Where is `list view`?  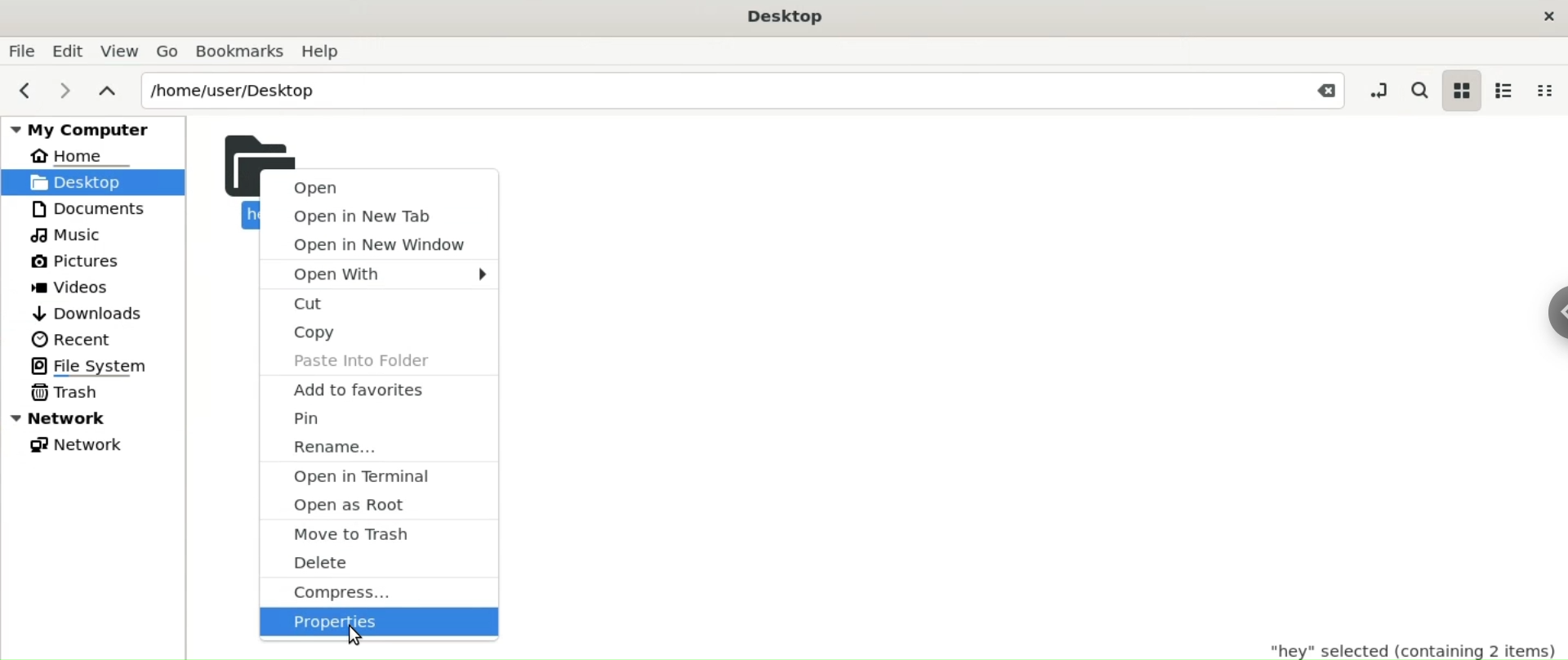
list view is located at coordinates (1507, 92).